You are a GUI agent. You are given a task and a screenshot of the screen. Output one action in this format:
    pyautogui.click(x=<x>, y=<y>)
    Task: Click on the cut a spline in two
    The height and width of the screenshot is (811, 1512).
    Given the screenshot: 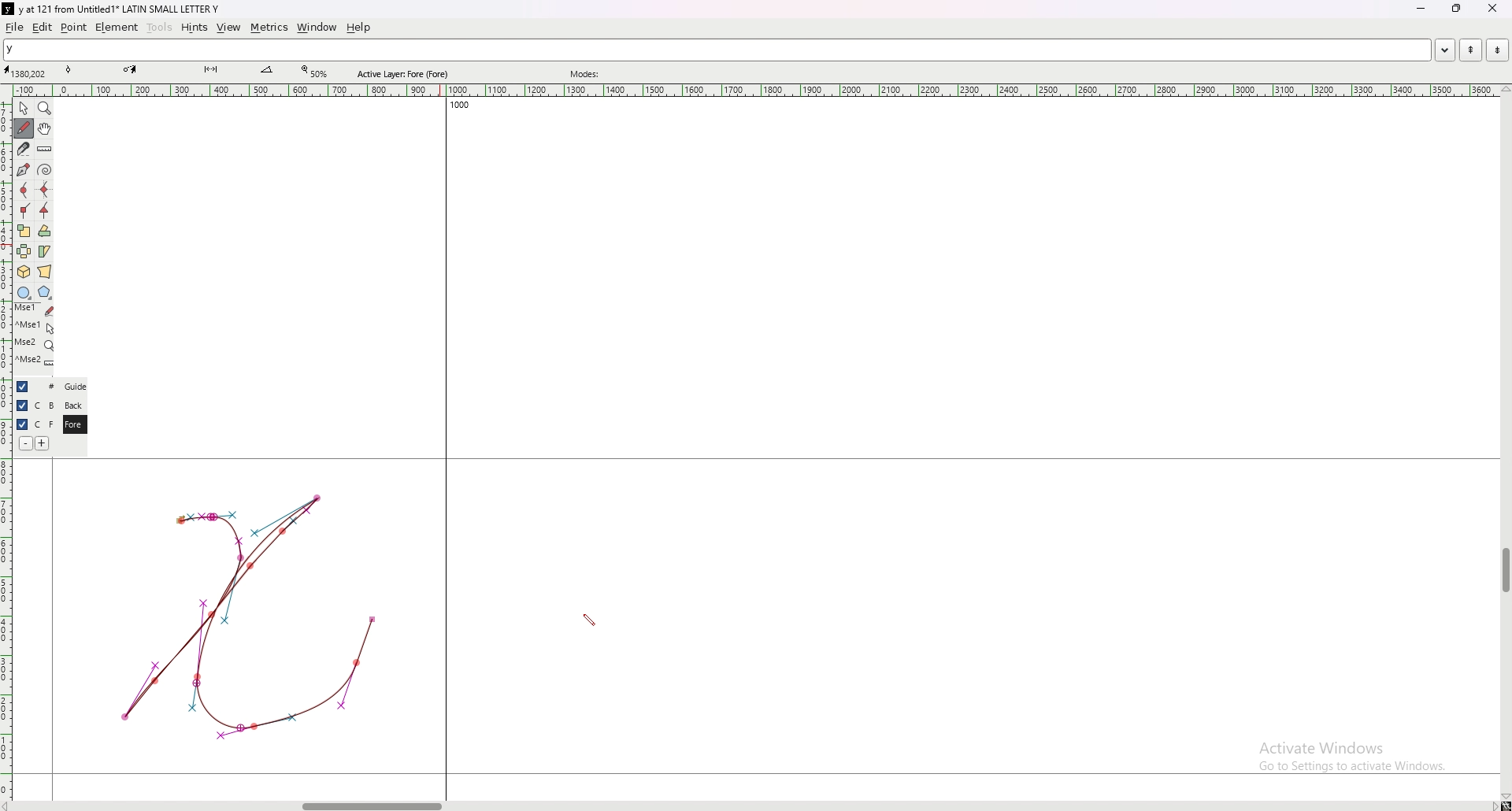 What is the action you would take?
    pyautogui.click(x=22, y=149)
    